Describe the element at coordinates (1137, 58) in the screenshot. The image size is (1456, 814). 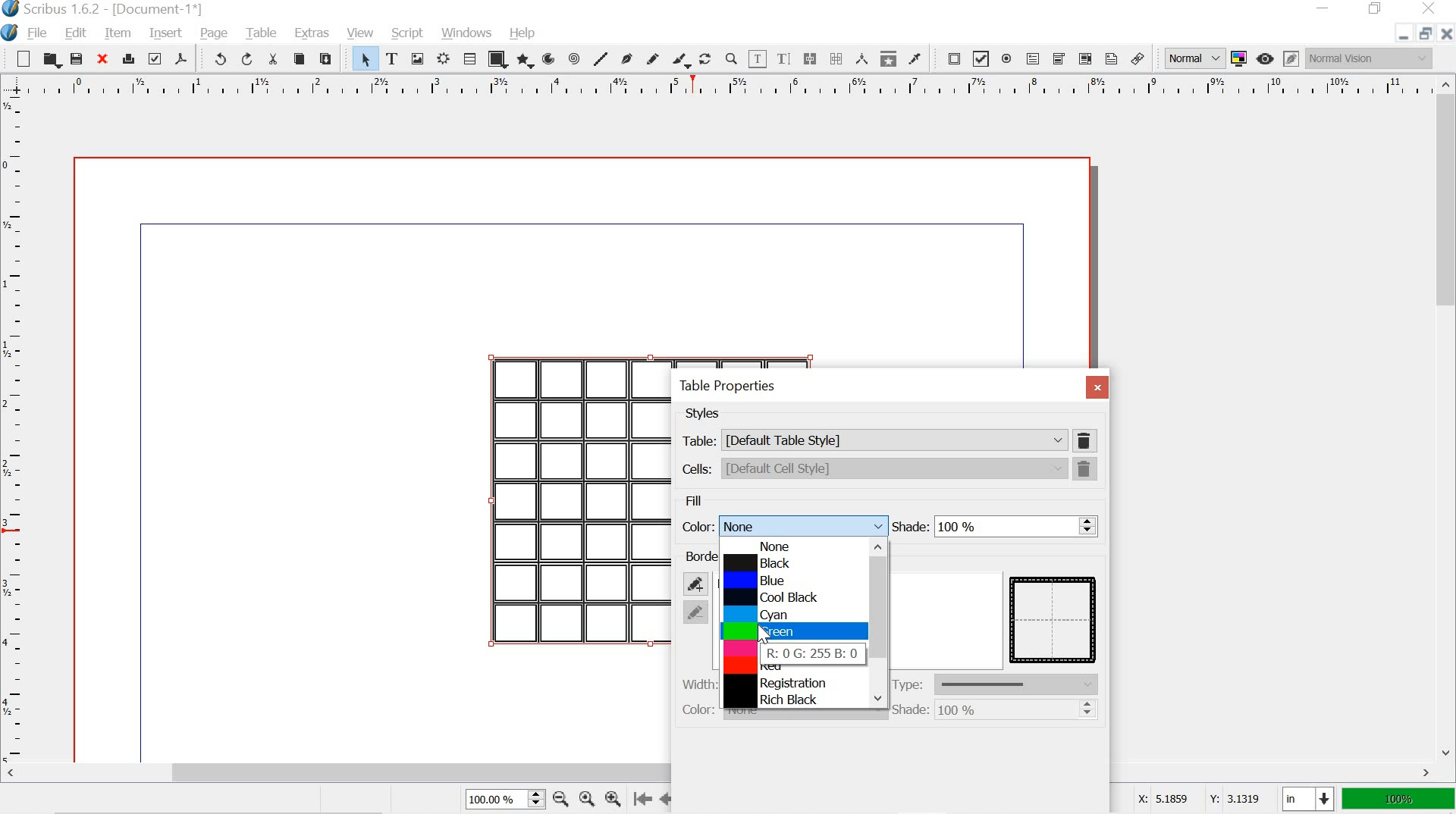
I see `link annotation` at that location.